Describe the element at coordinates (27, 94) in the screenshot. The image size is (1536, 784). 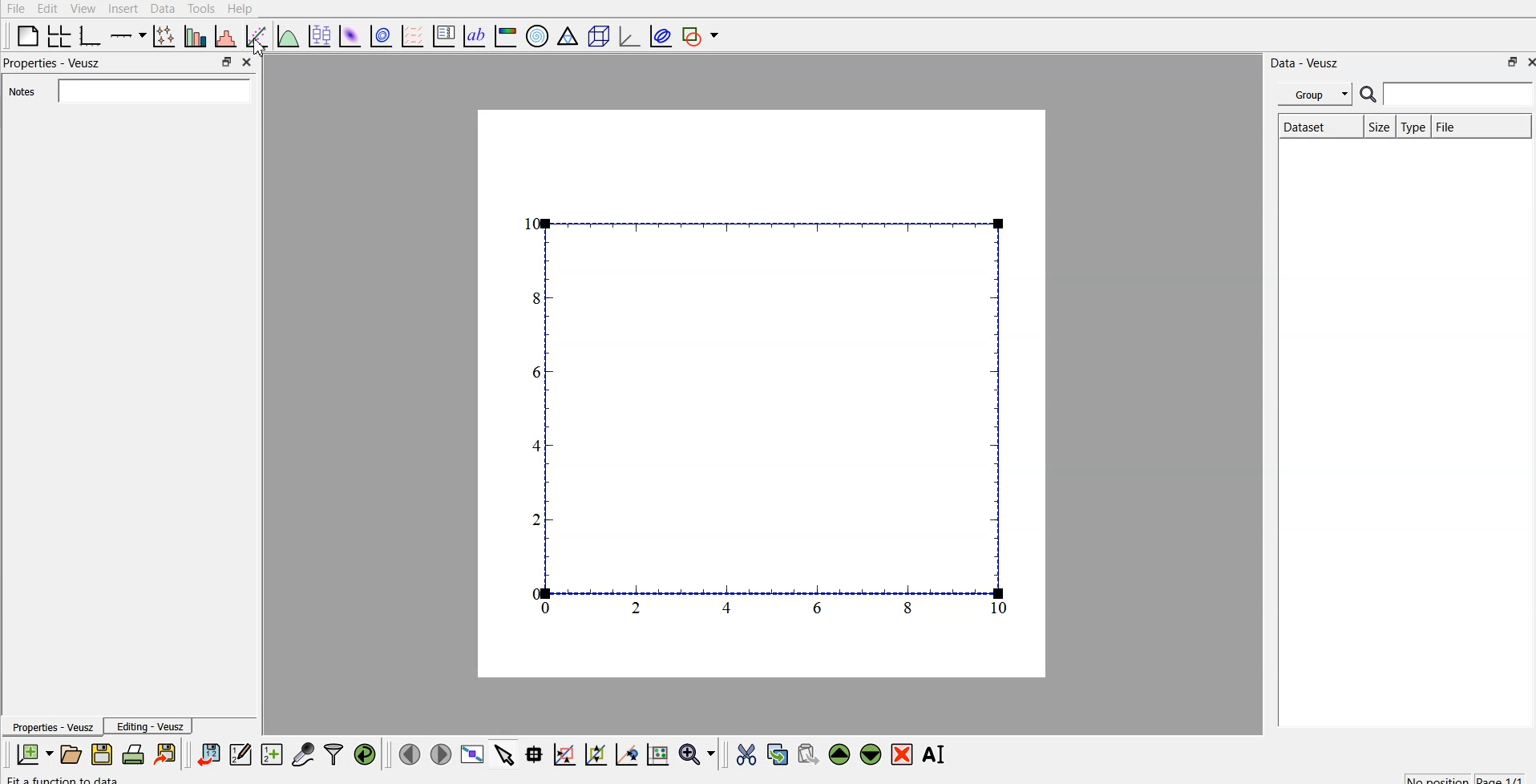
I see `Notes` at that location.